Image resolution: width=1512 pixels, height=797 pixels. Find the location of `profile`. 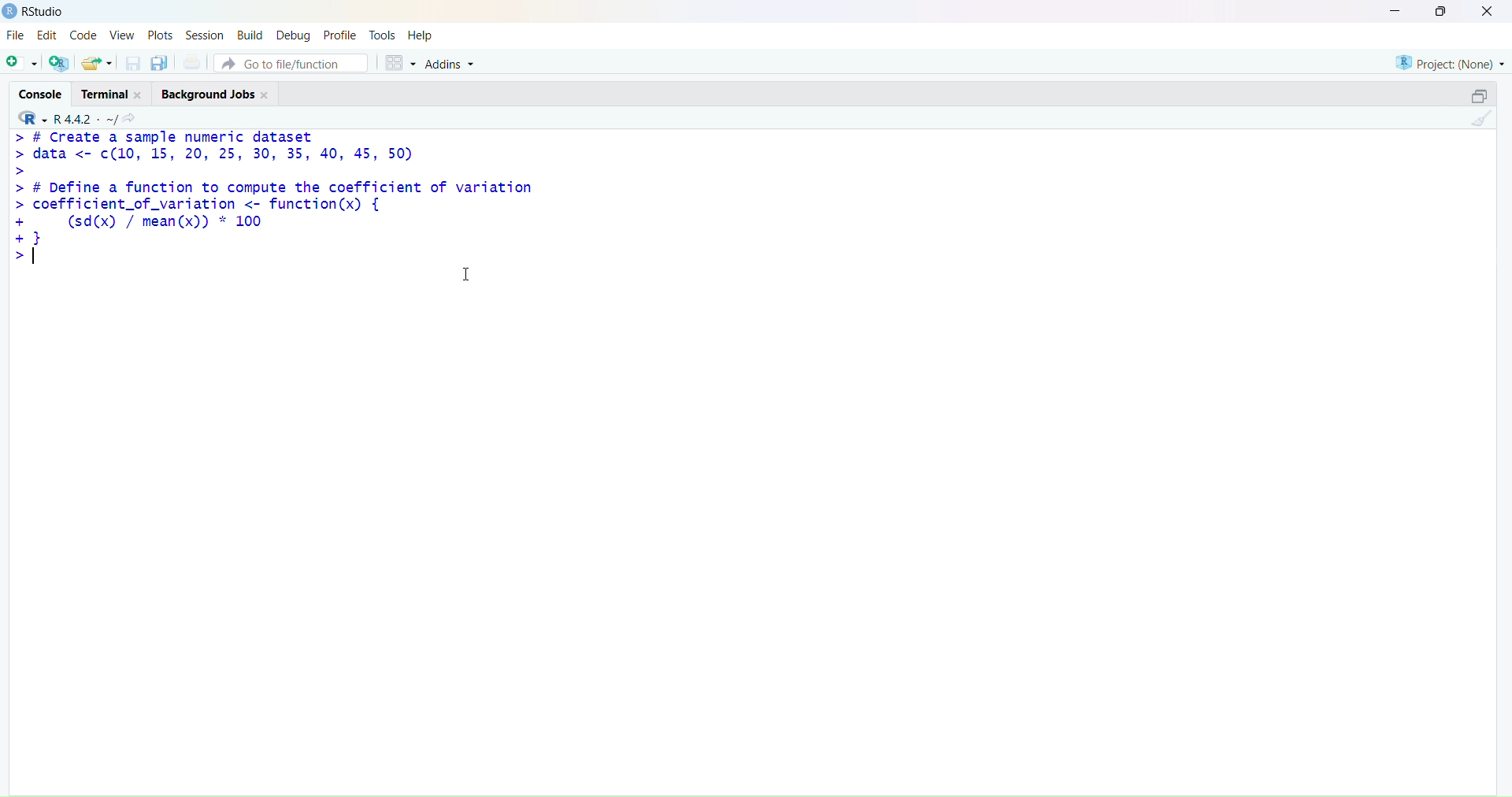

profile is located at coordinates (340, 36).